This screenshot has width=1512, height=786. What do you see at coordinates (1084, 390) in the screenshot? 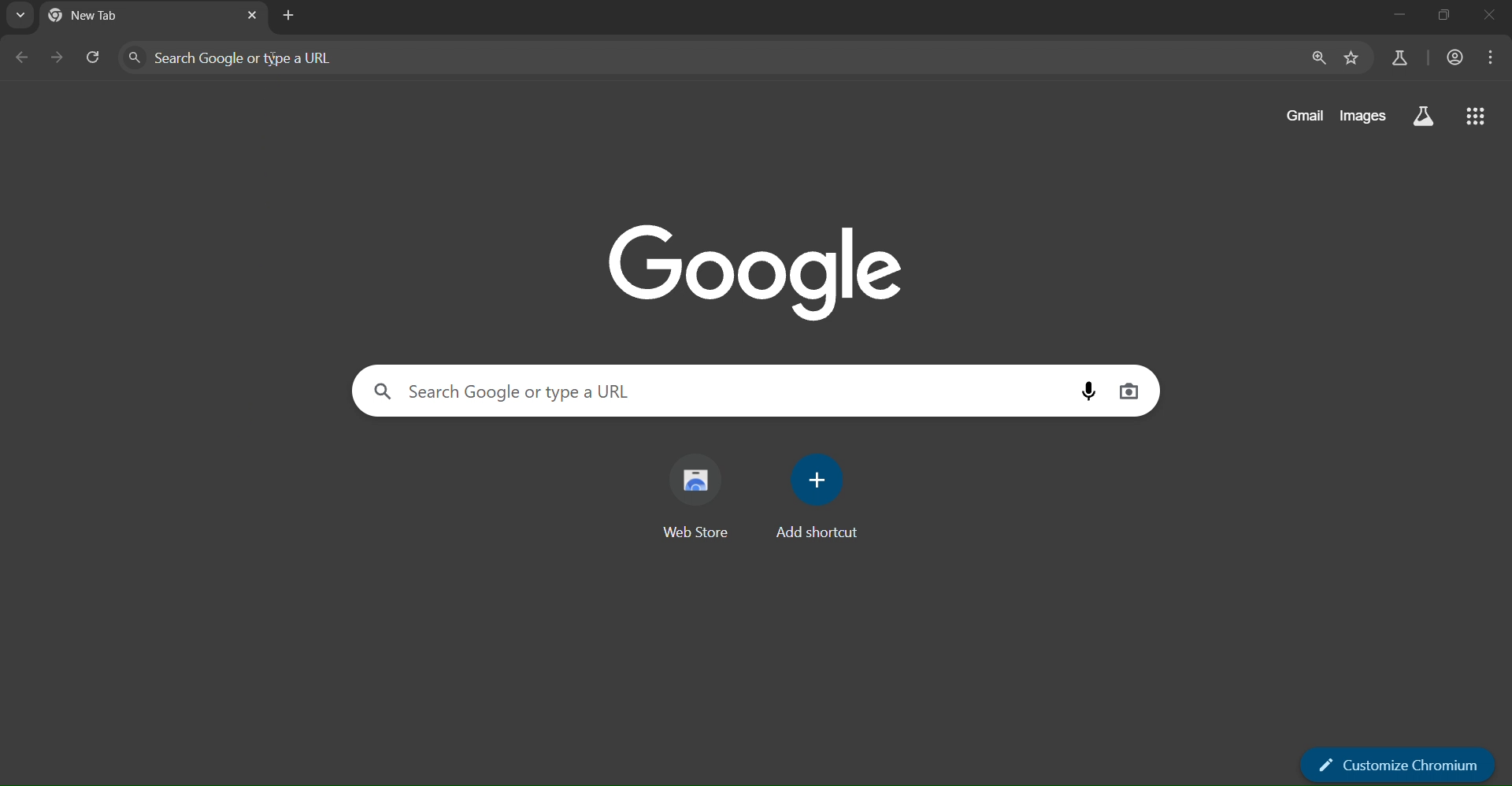
I see `voice search` at bounding box center [1084, 390].